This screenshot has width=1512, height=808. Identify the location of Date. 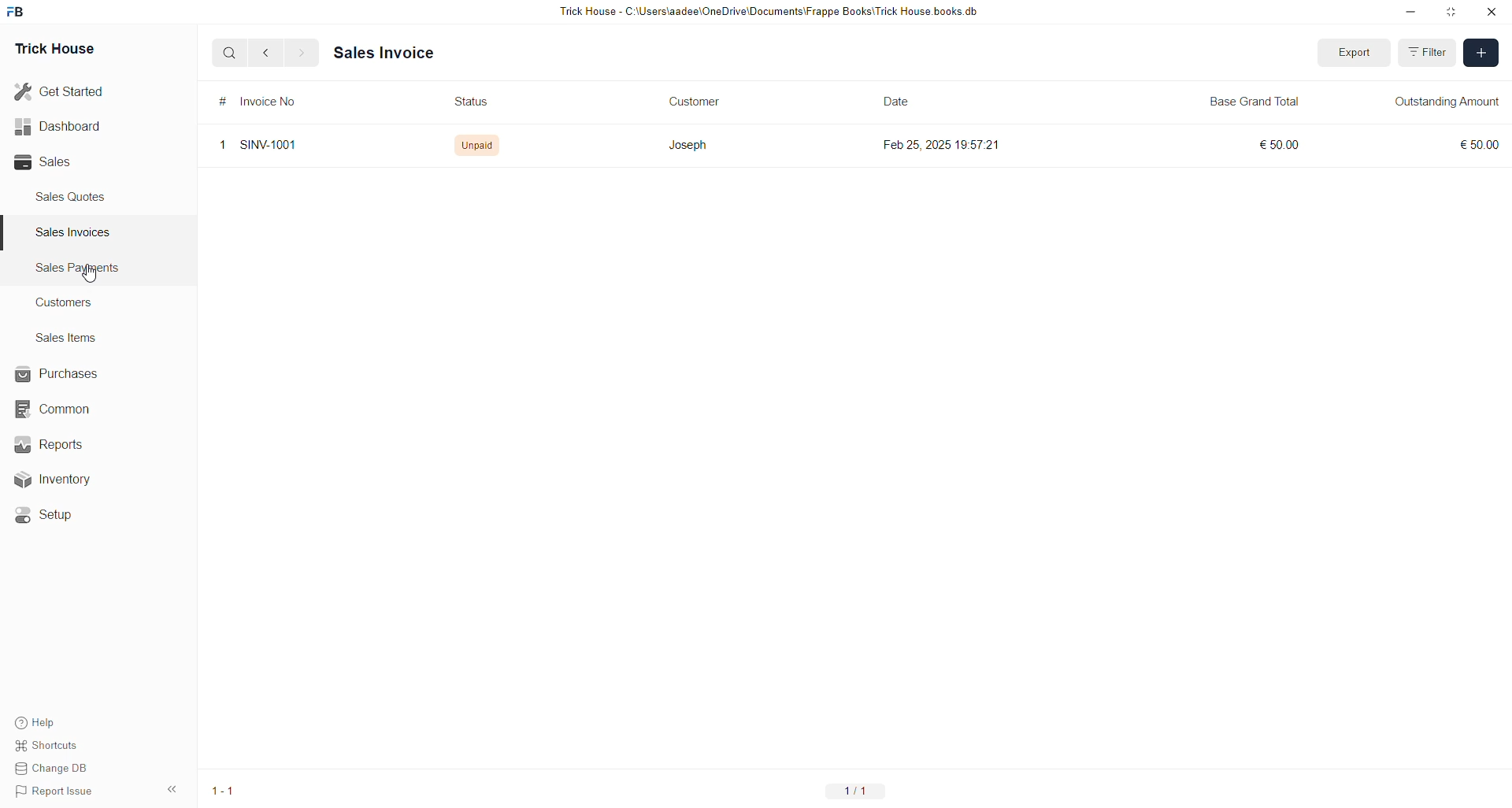
(897, 101).